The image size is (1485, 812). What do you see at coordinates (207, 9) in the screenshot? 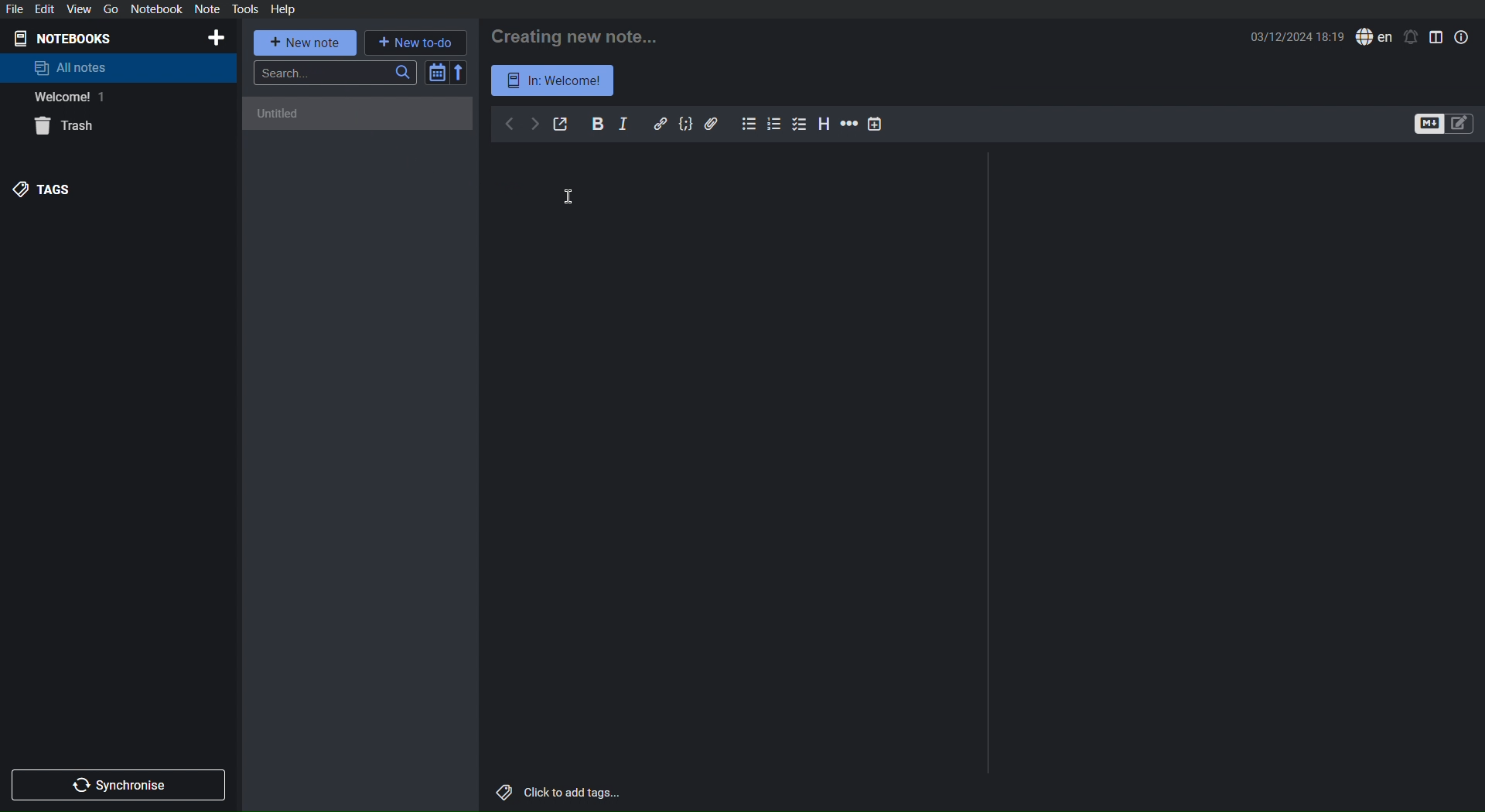
I see `Note` at bounding box center [207, 9].